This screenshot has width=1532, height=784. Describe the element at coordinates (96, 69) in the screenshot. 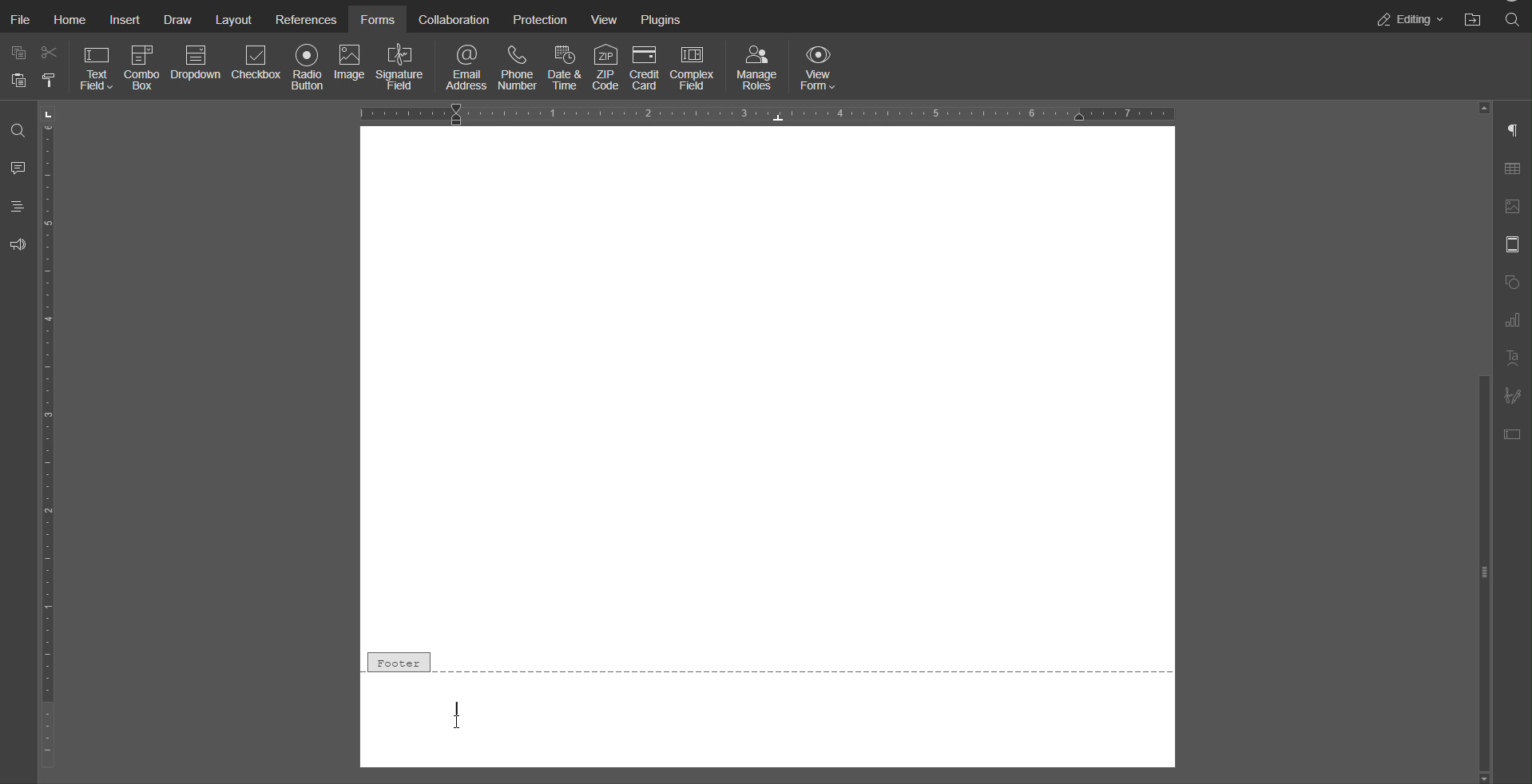

I see `Text Field` at that location.